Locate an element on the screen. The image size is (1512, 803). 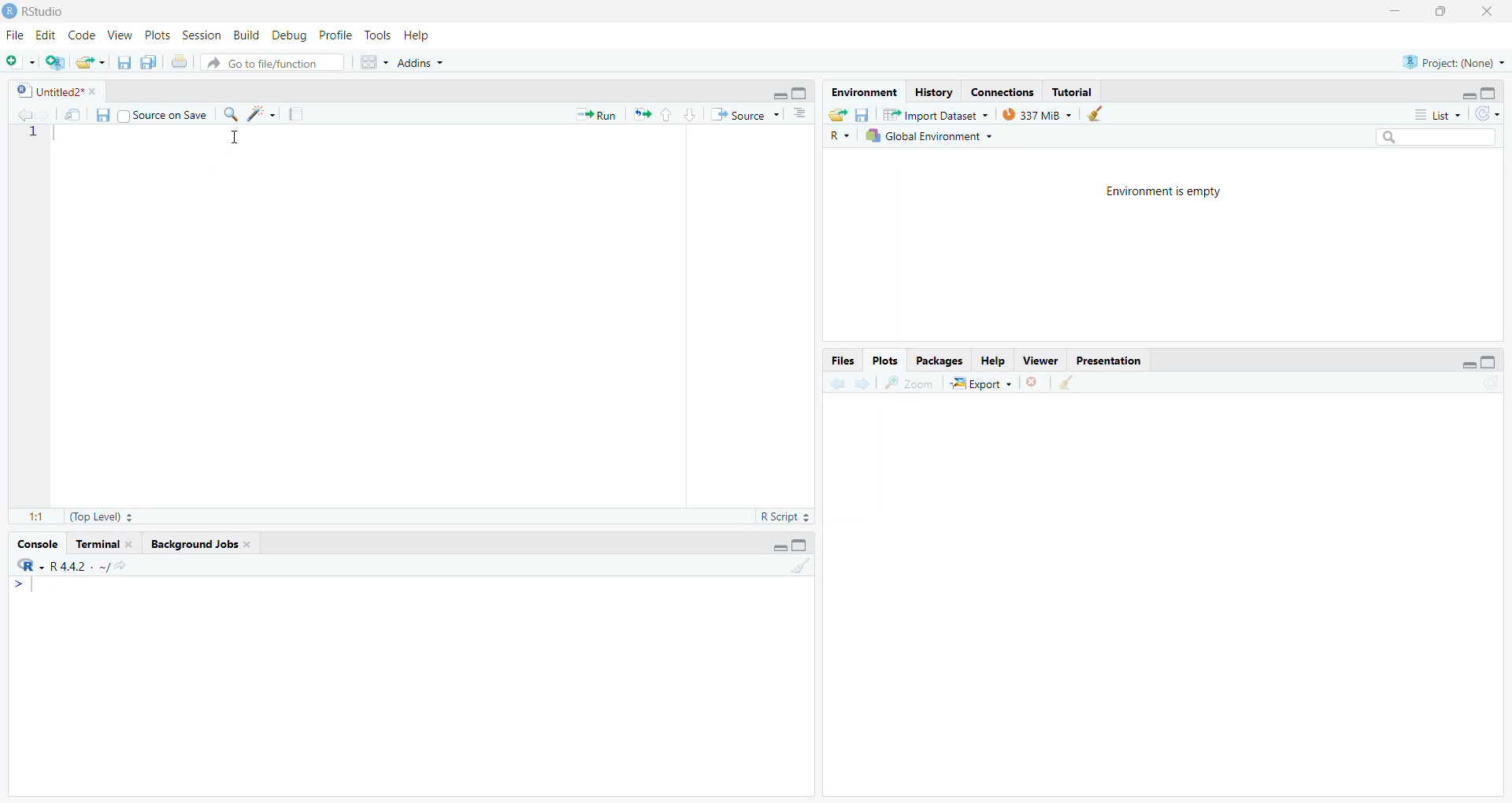
Help is located at coordinates (418, 37).